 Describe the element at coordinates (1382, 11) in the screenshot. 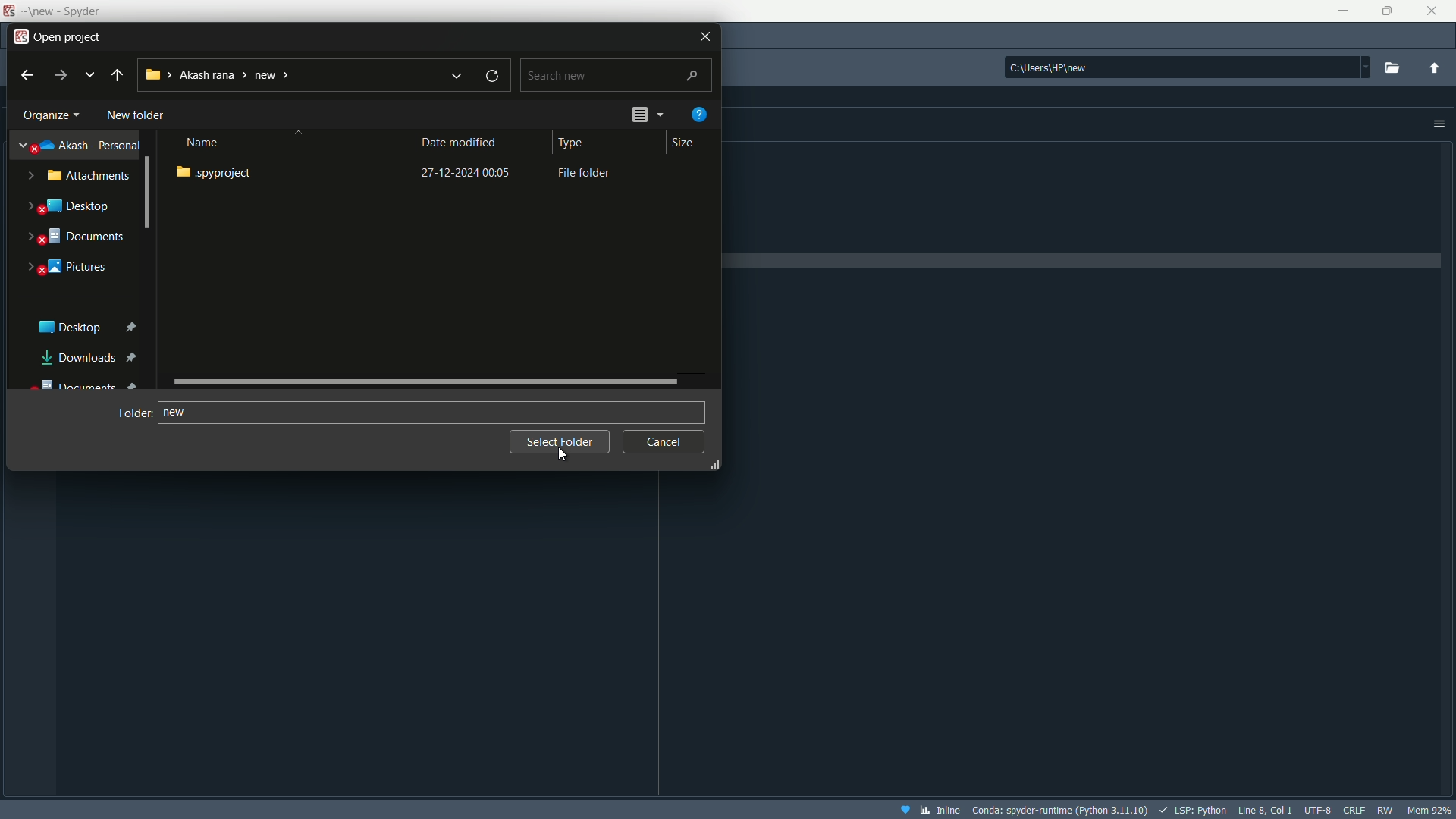

I see `maximize` at that location.